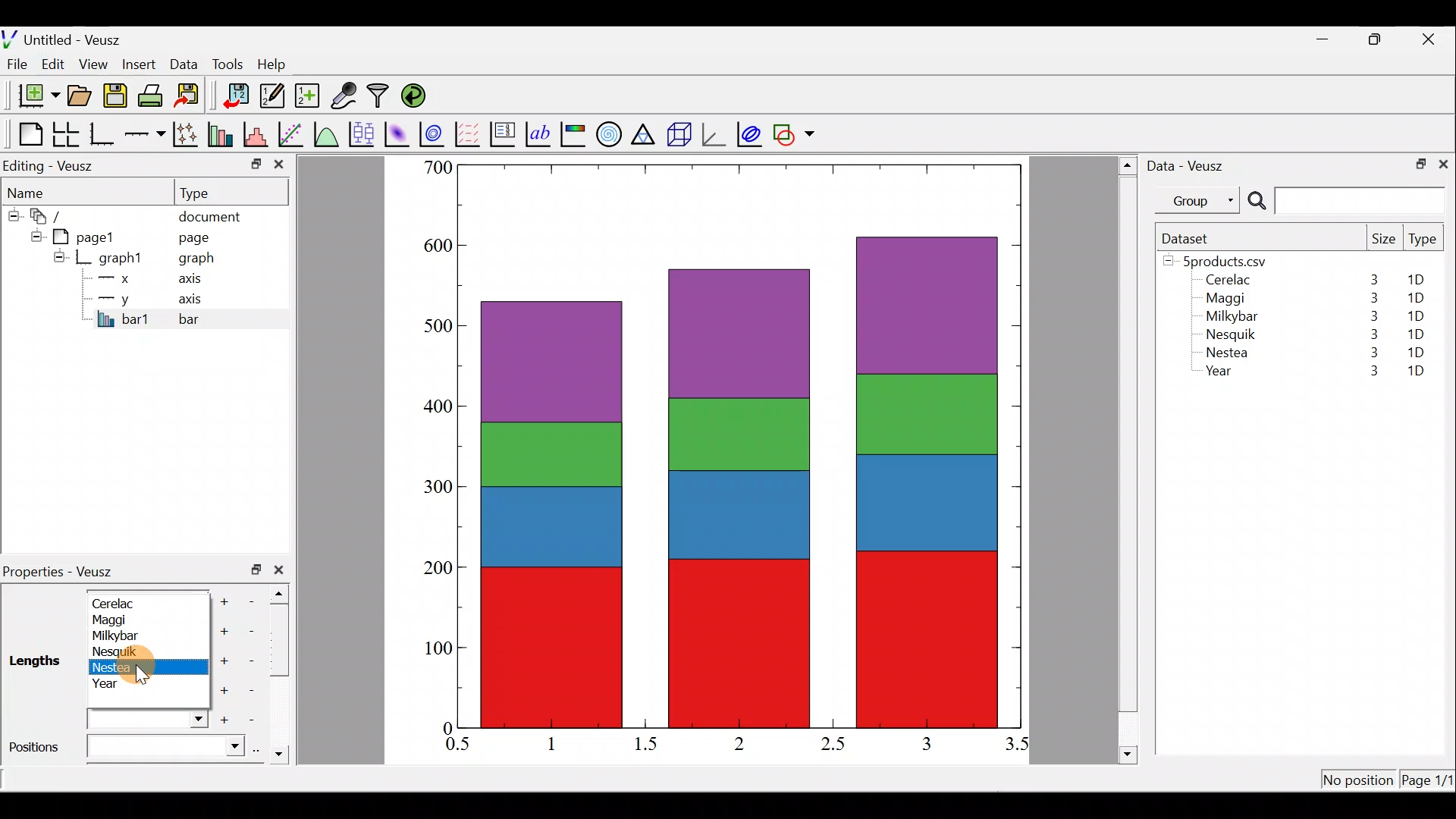 The height and width of the screenshot is (819, 1456). What do you see at coordinates (1359, 781) in the screenshot?
I see `No position` at bounding box center [1359, 781].